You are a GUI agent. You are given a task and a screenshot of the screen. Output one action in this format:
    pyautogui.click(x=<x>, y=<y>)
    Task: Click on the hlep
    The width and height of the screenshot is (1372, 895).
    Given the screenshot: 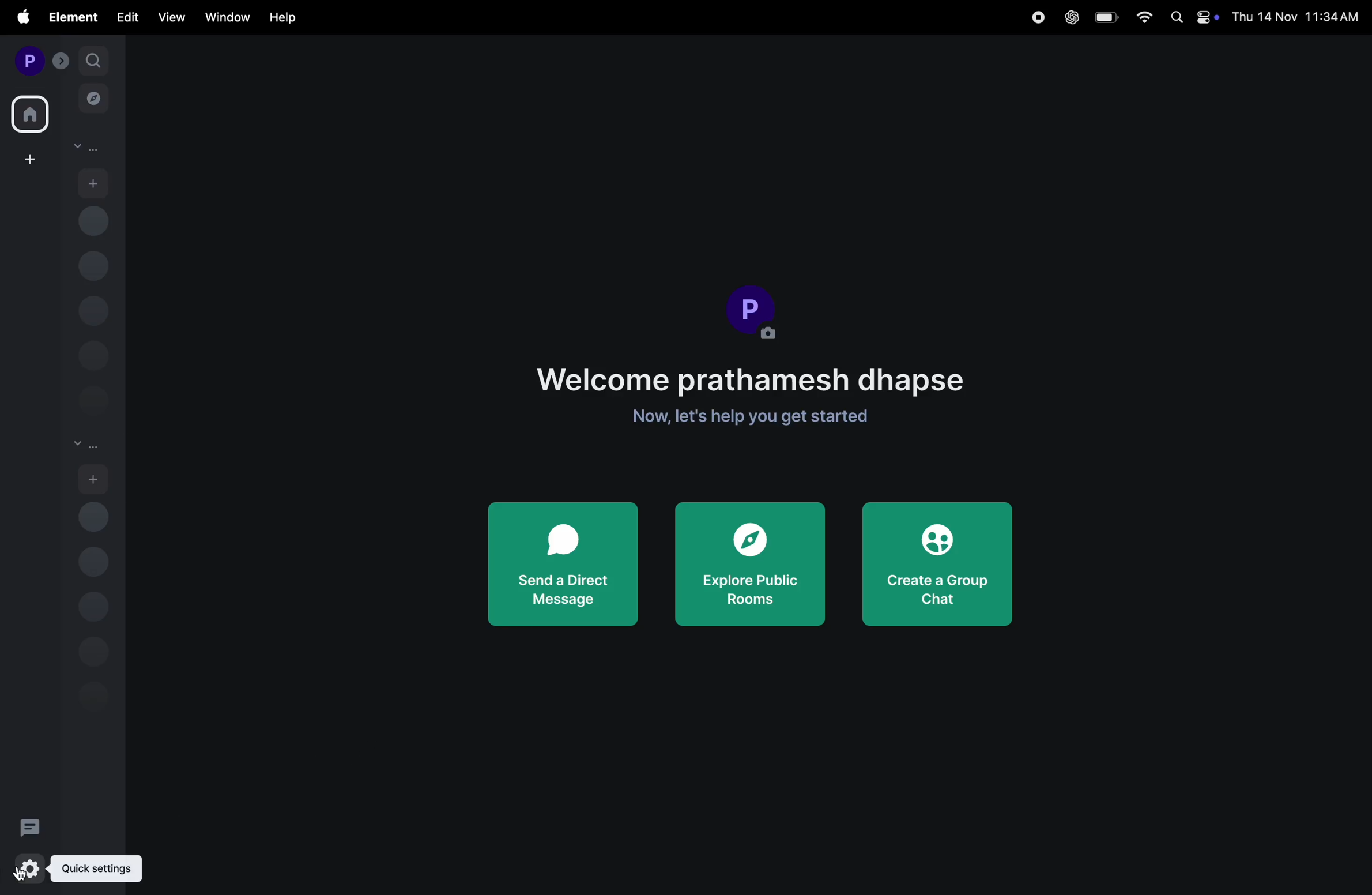 What is the action you would take?
    pyautogui.click(x=283, y=18)
    